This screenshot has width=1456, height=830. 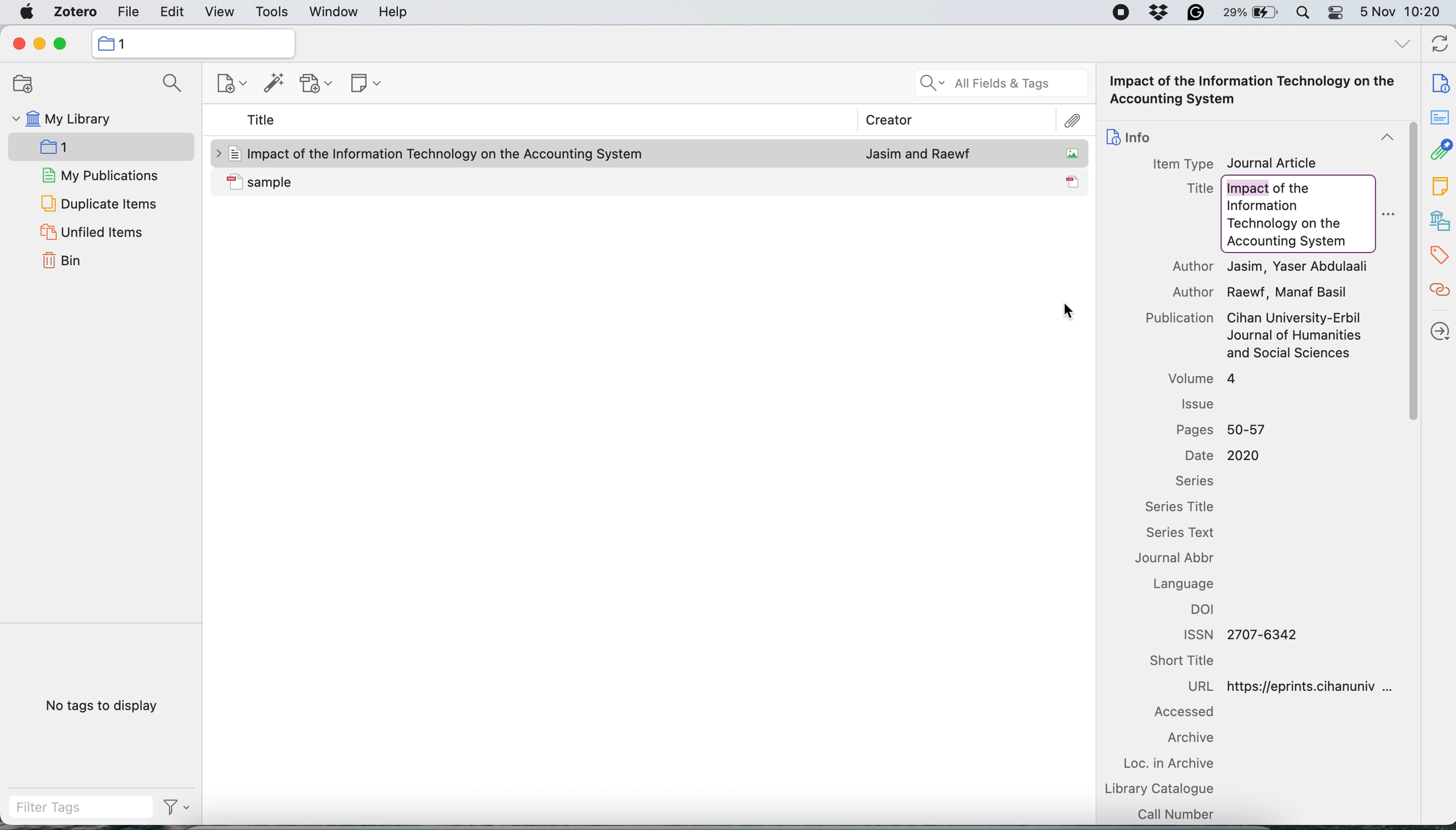 I want to click on new collection, so click(x=23, y=83).